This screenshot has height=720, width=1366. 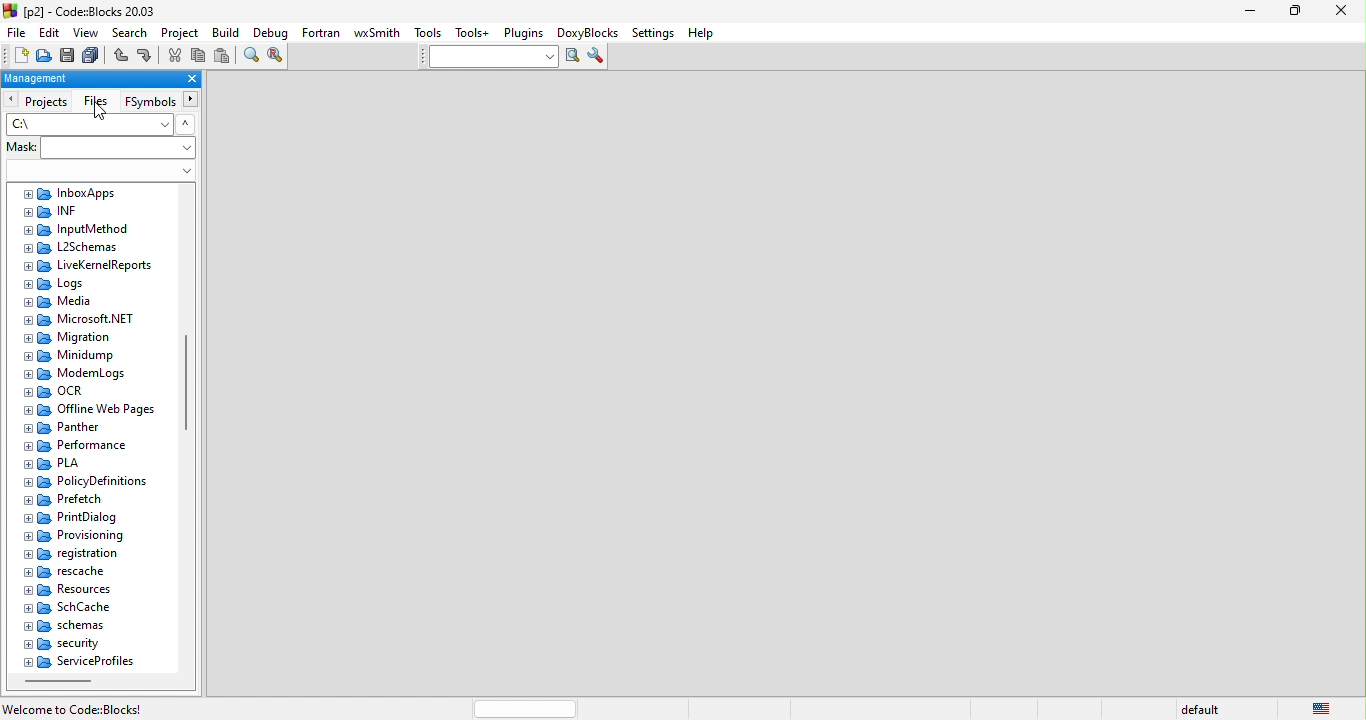 What do you see at coordinates (85, 192) in the screenshot?
I see `inbox apps` at bounding box center [85, 192].